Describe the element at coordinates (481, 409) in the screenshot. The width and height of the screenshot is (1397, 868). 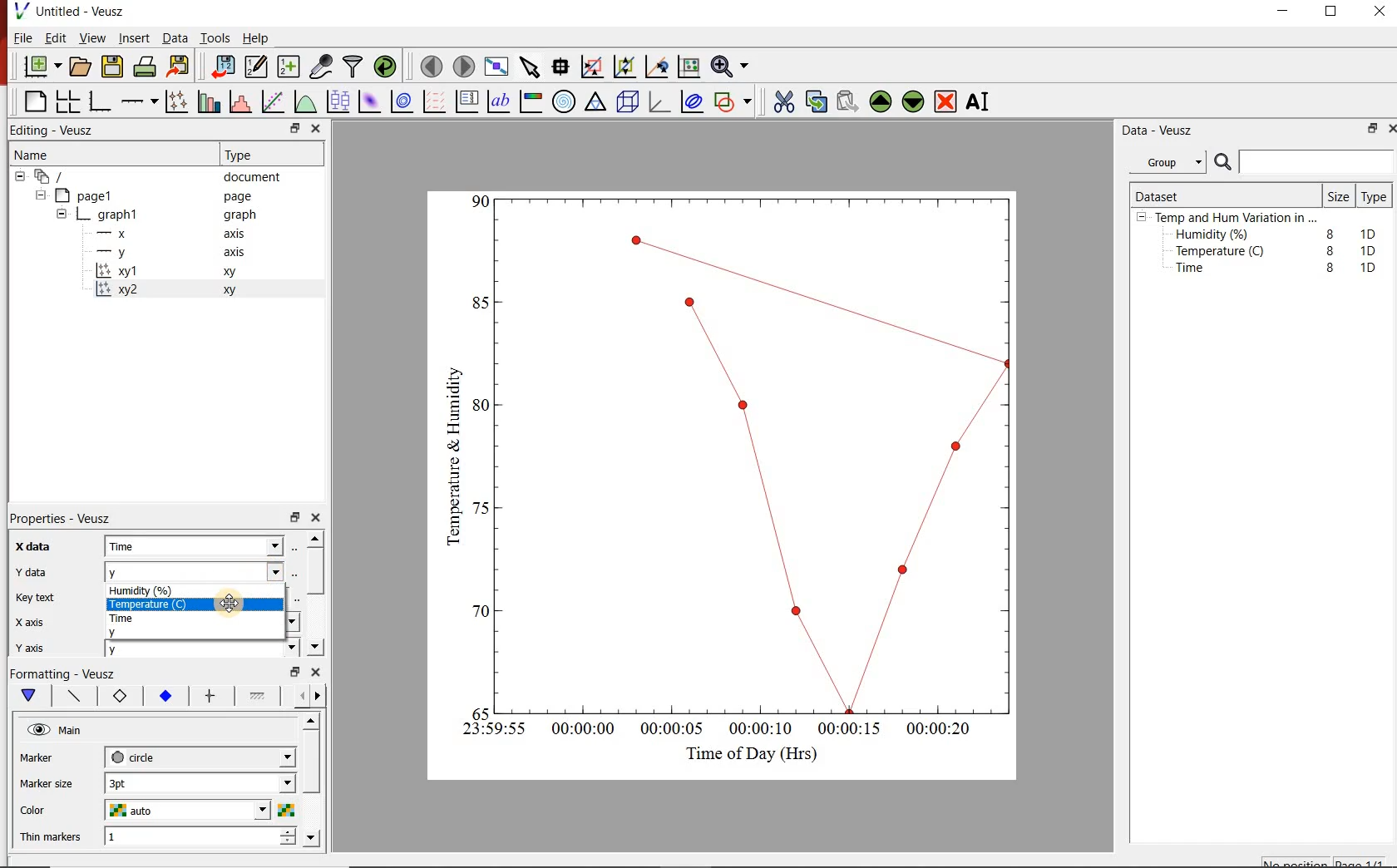
I see `0.6` at that location.